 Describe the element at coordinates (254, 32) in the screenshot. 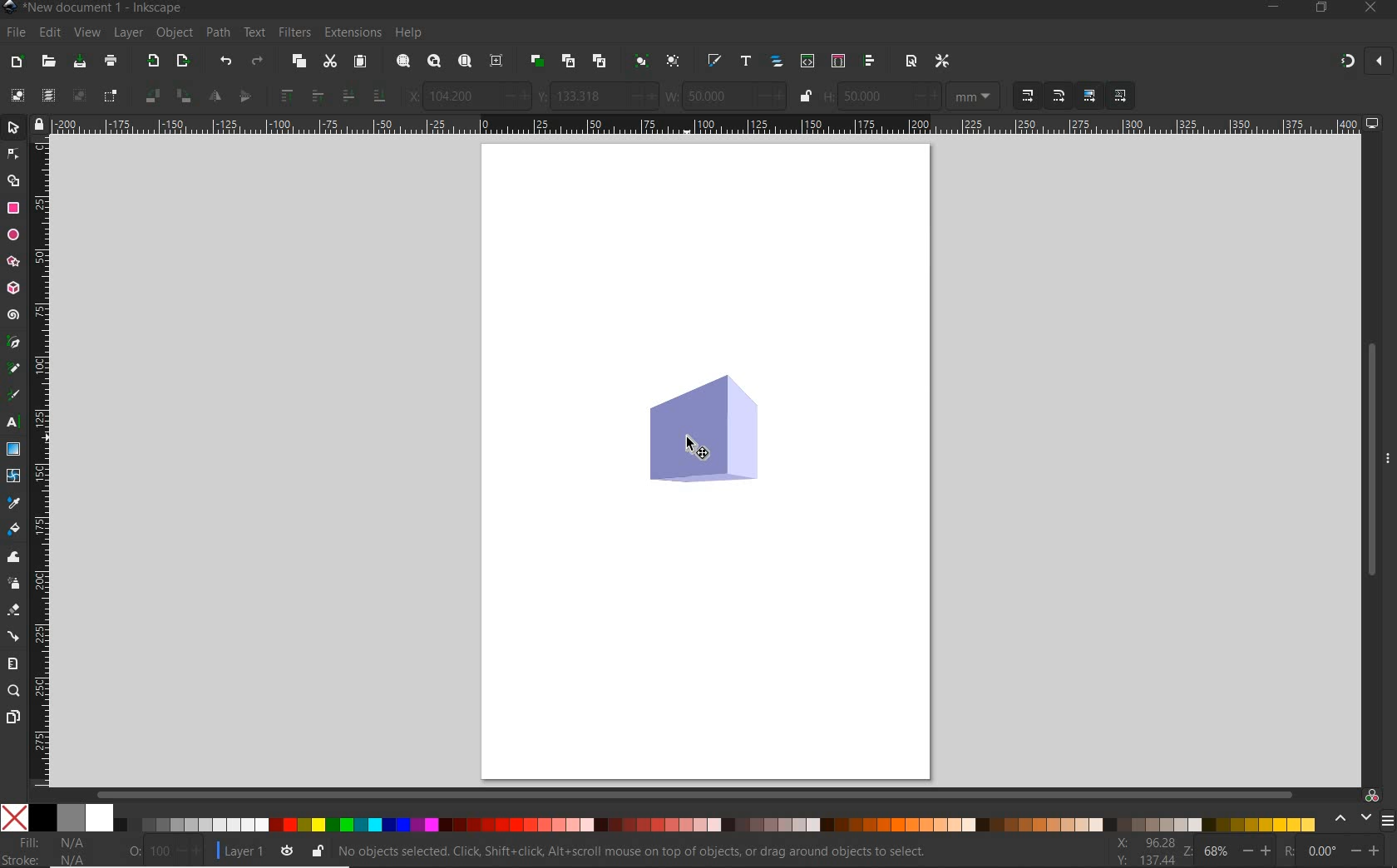

I see `text` at that location.